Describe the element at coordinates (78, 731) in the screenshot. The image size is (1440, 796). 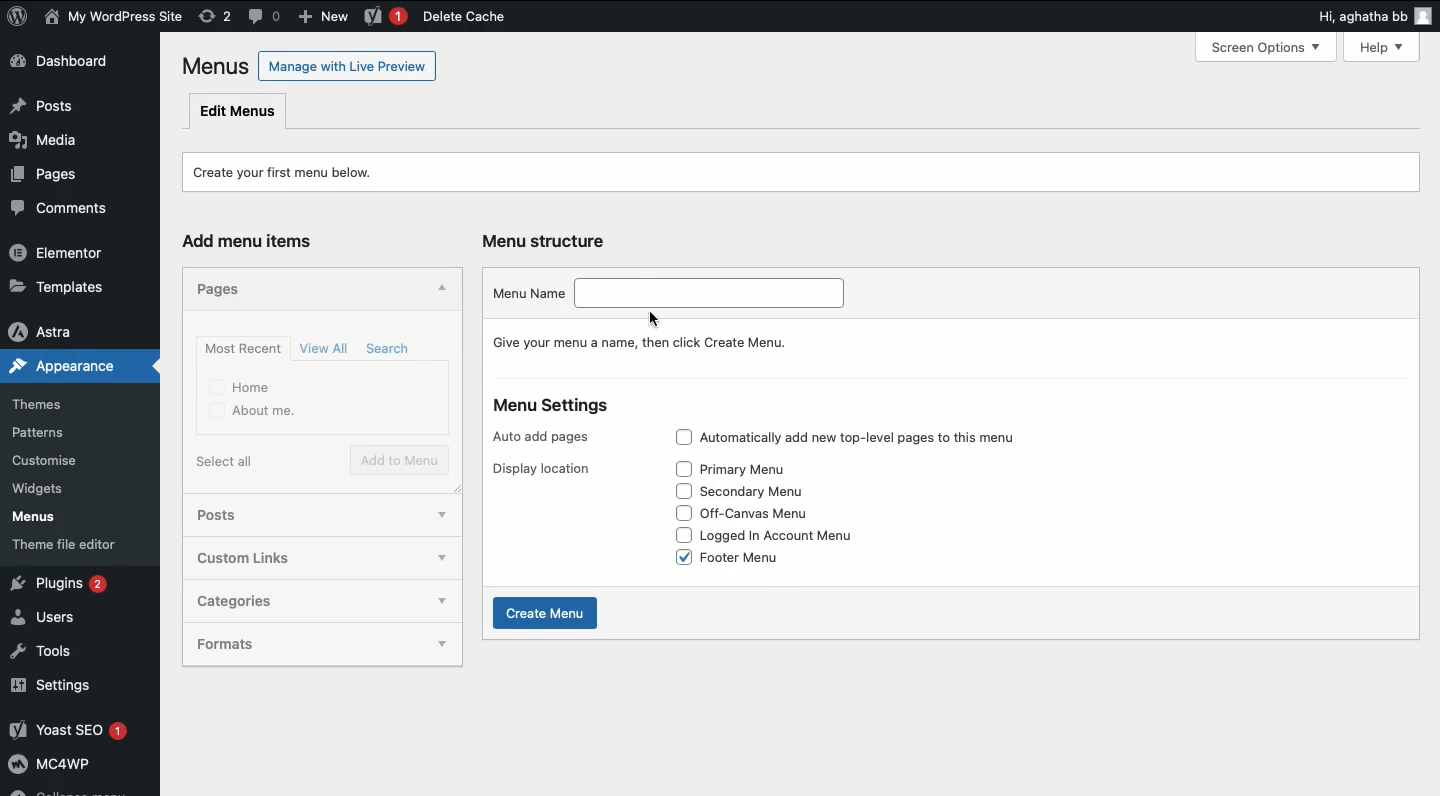
I see ` Yoast SEO ` at that location.